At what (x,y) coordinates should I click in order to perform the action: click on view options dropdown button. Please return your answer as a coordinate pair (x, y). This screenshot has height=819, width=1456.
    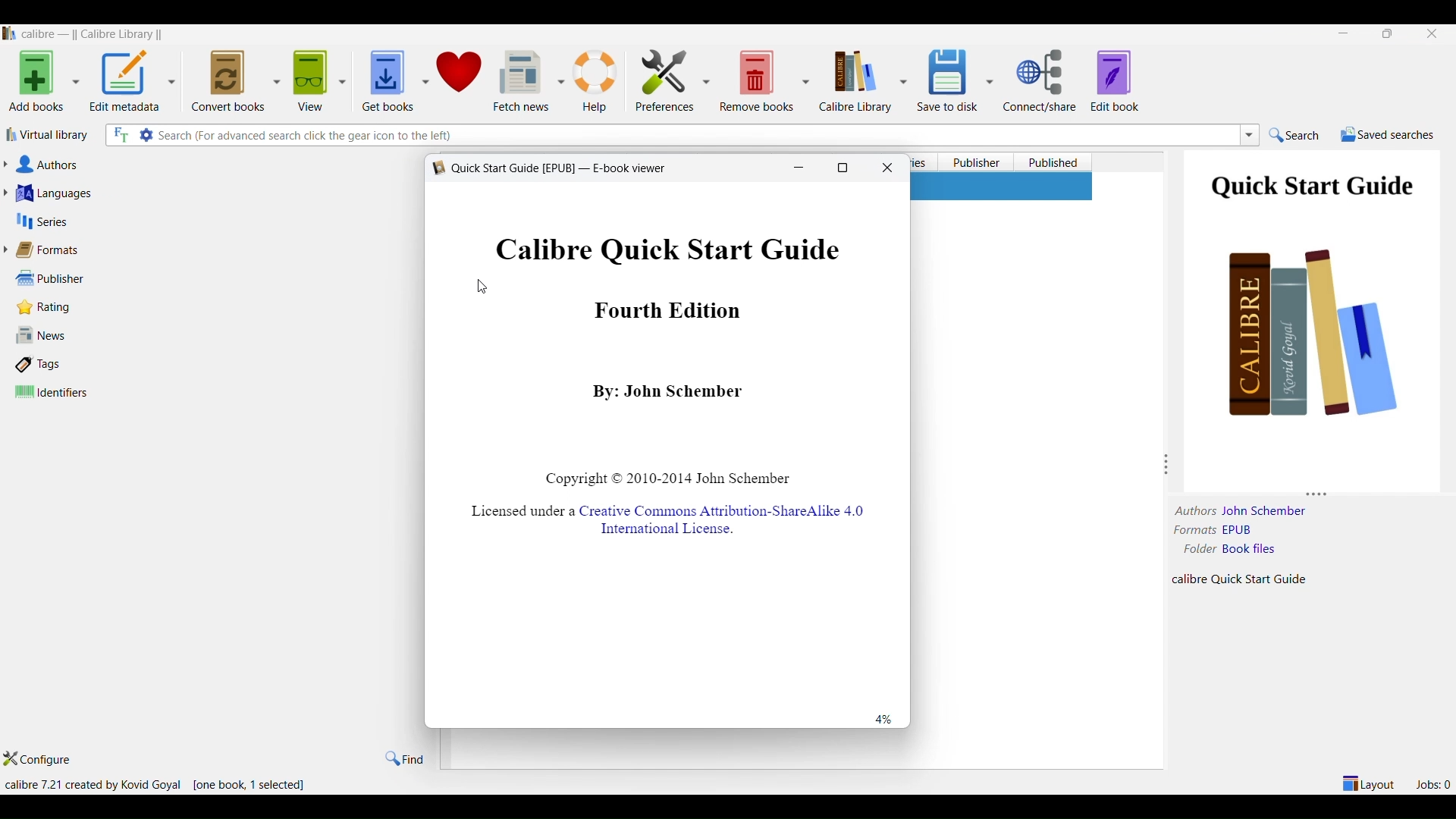
    Looking at the image, I should click on (347, 80).